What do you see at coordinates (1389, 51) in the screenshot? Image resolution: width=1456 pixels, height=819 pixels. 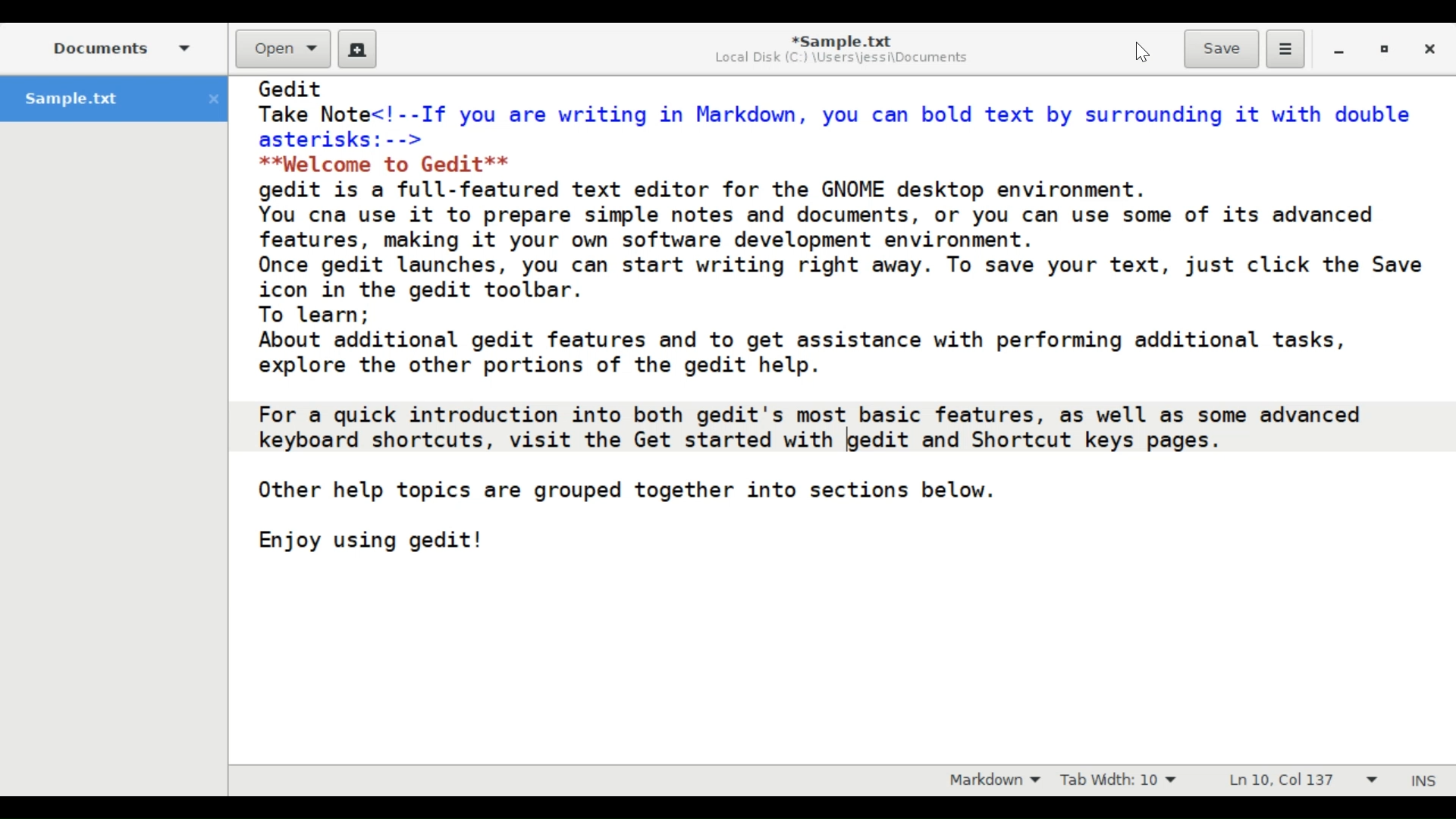 I see `Restore` at bounding box center [1389, 51].